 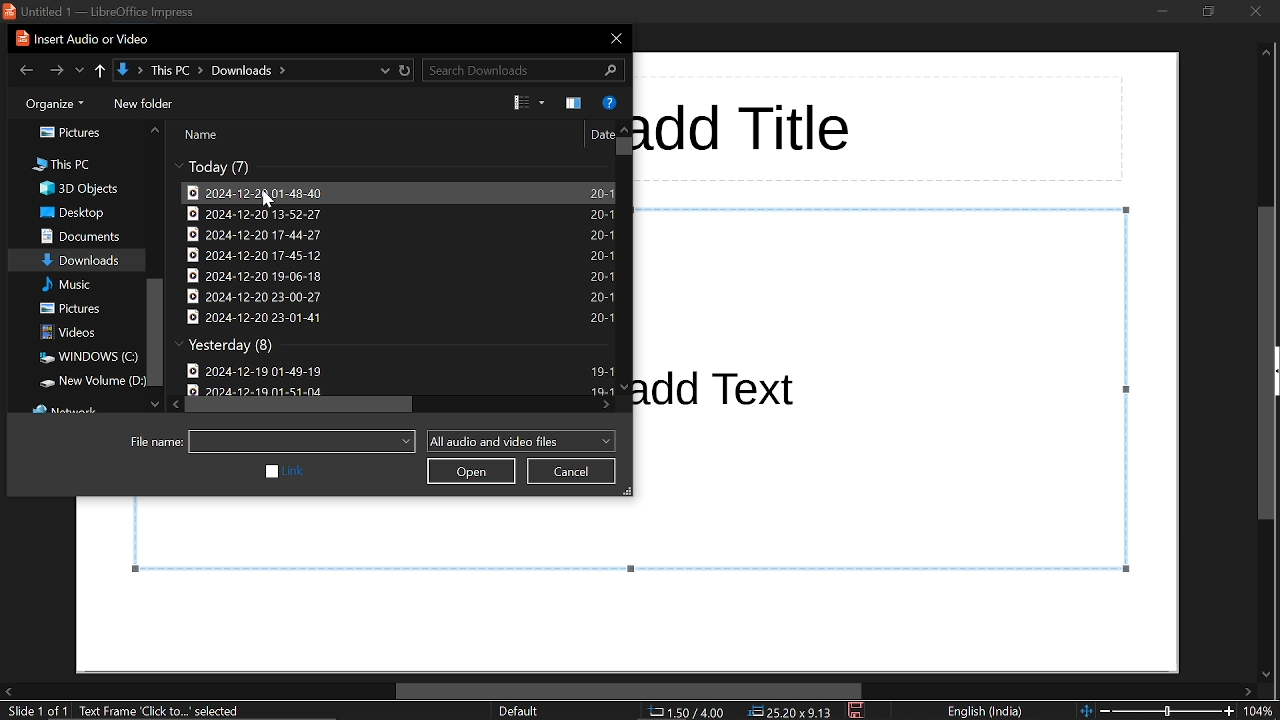 What do you see at coordinates (606, 404) in the screenshot?
I see `move right` at bounding box center [606, 404].